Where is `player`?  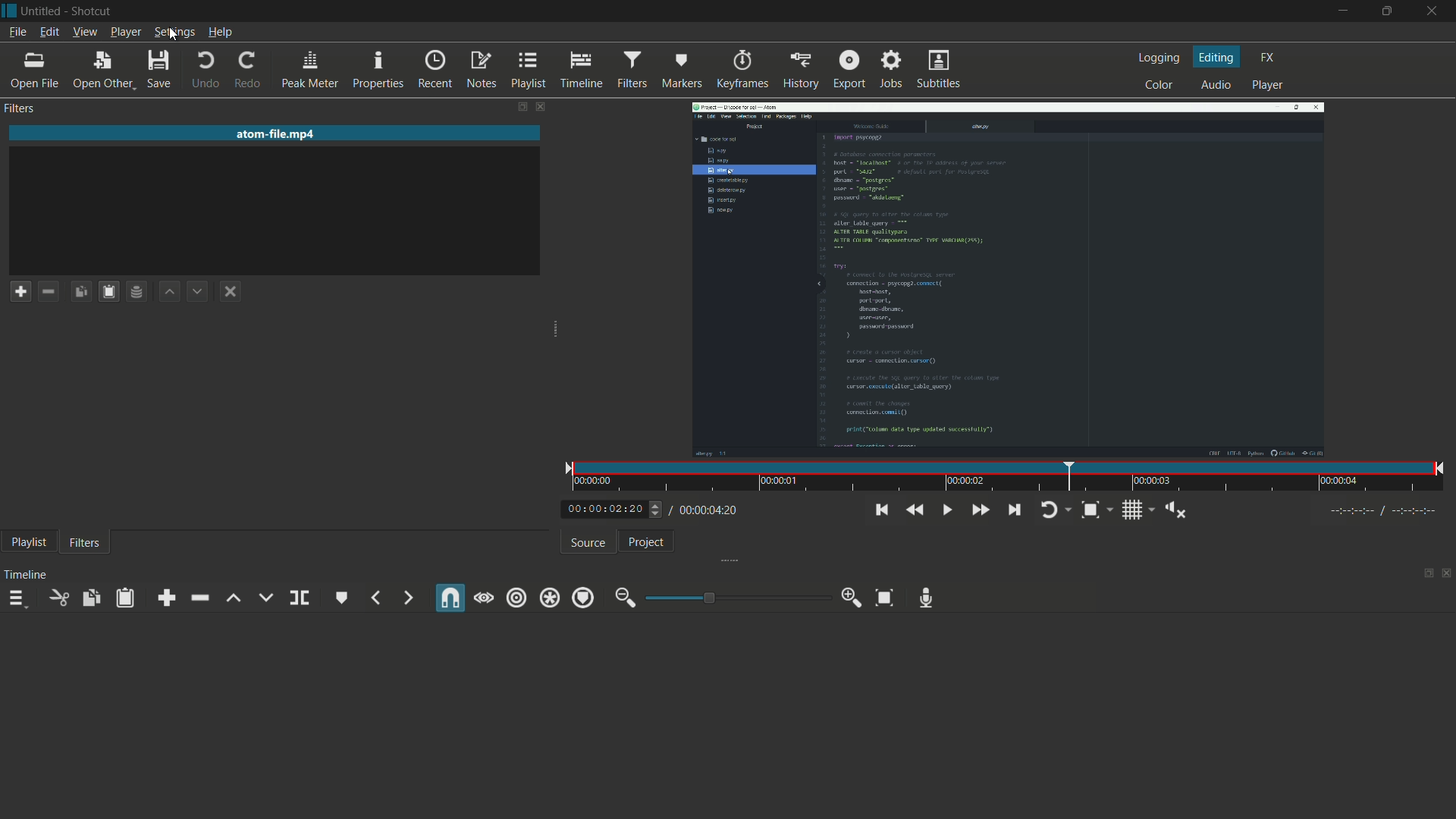 player is located at coordinates (1269, 85).